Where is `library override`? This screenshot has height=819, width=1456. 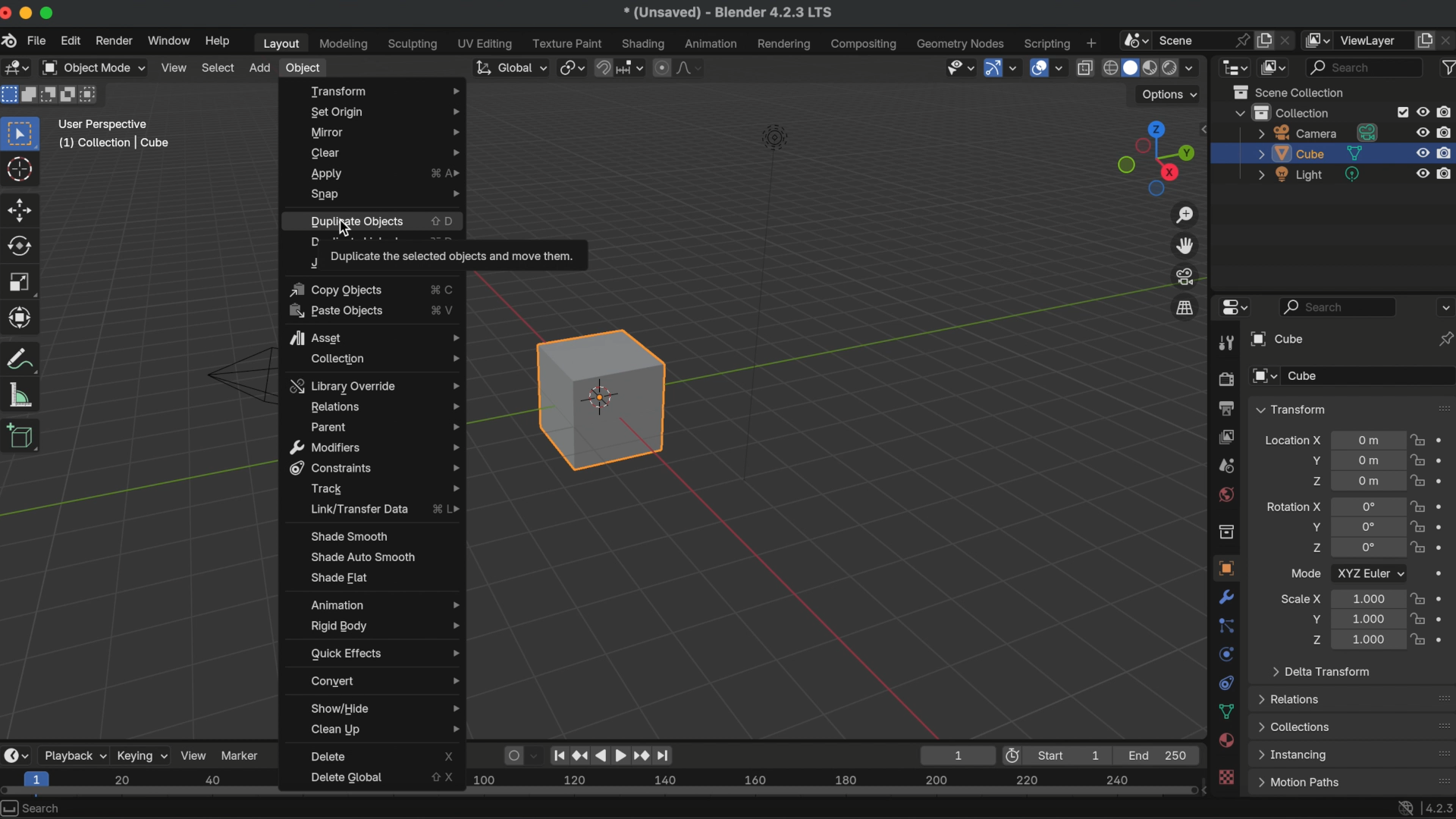
library override is located at coordinates (372, 384).